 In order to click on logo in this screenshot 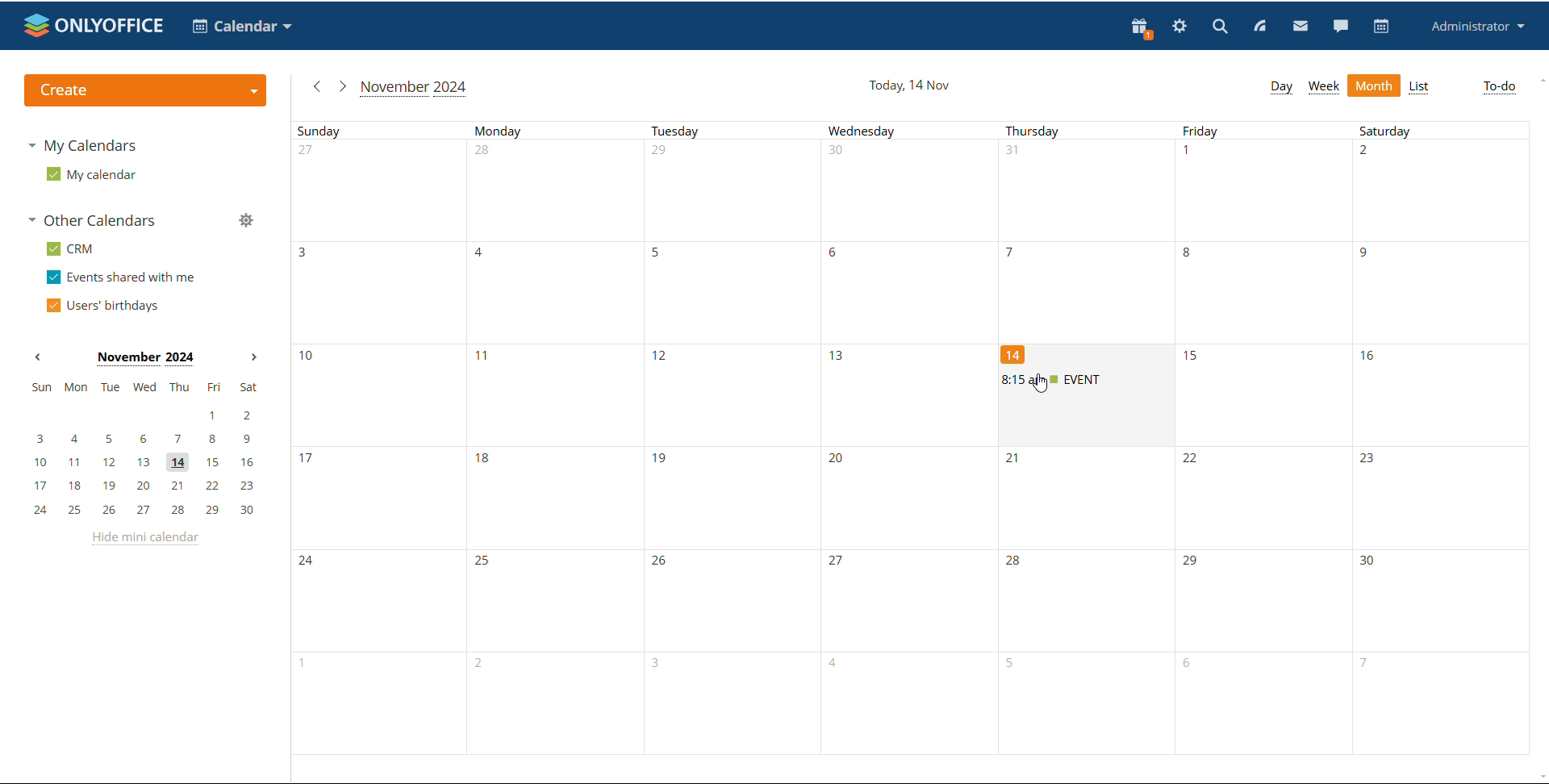, I will do `click(94, 25)`.